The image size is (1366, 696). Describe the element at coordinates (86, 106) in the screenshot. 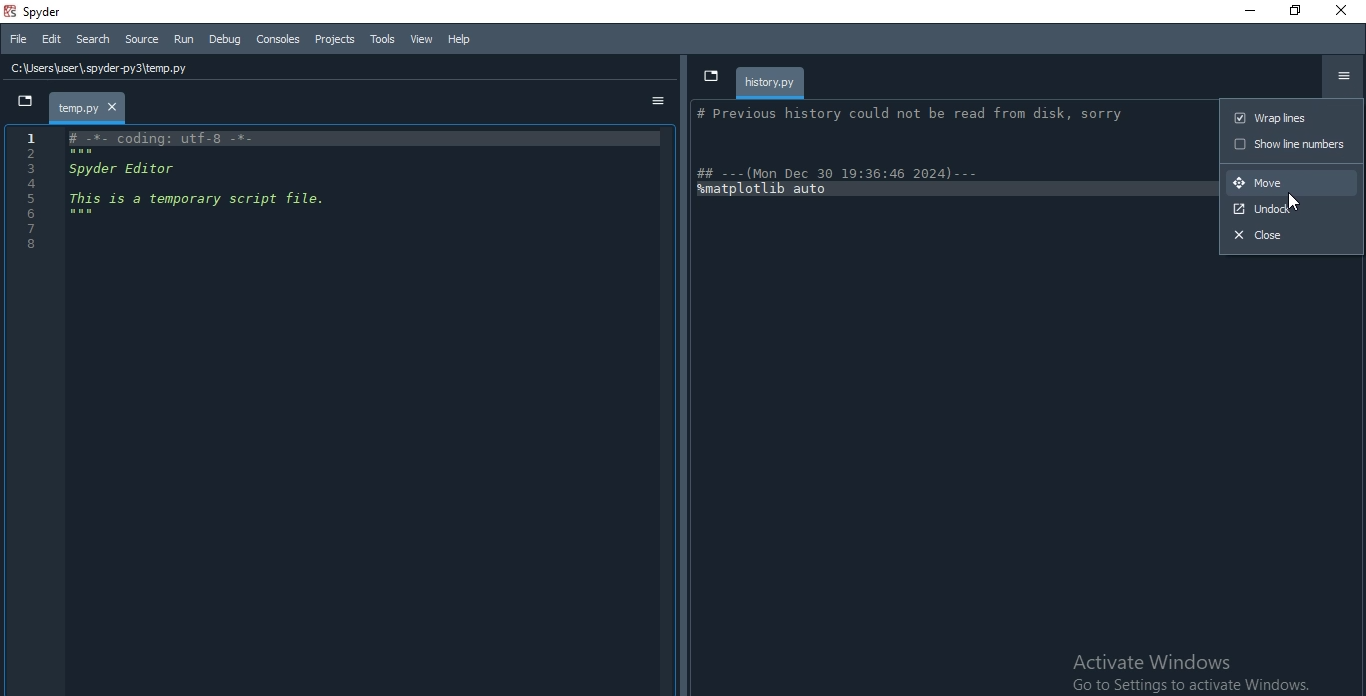

I see `file tab` at that location.